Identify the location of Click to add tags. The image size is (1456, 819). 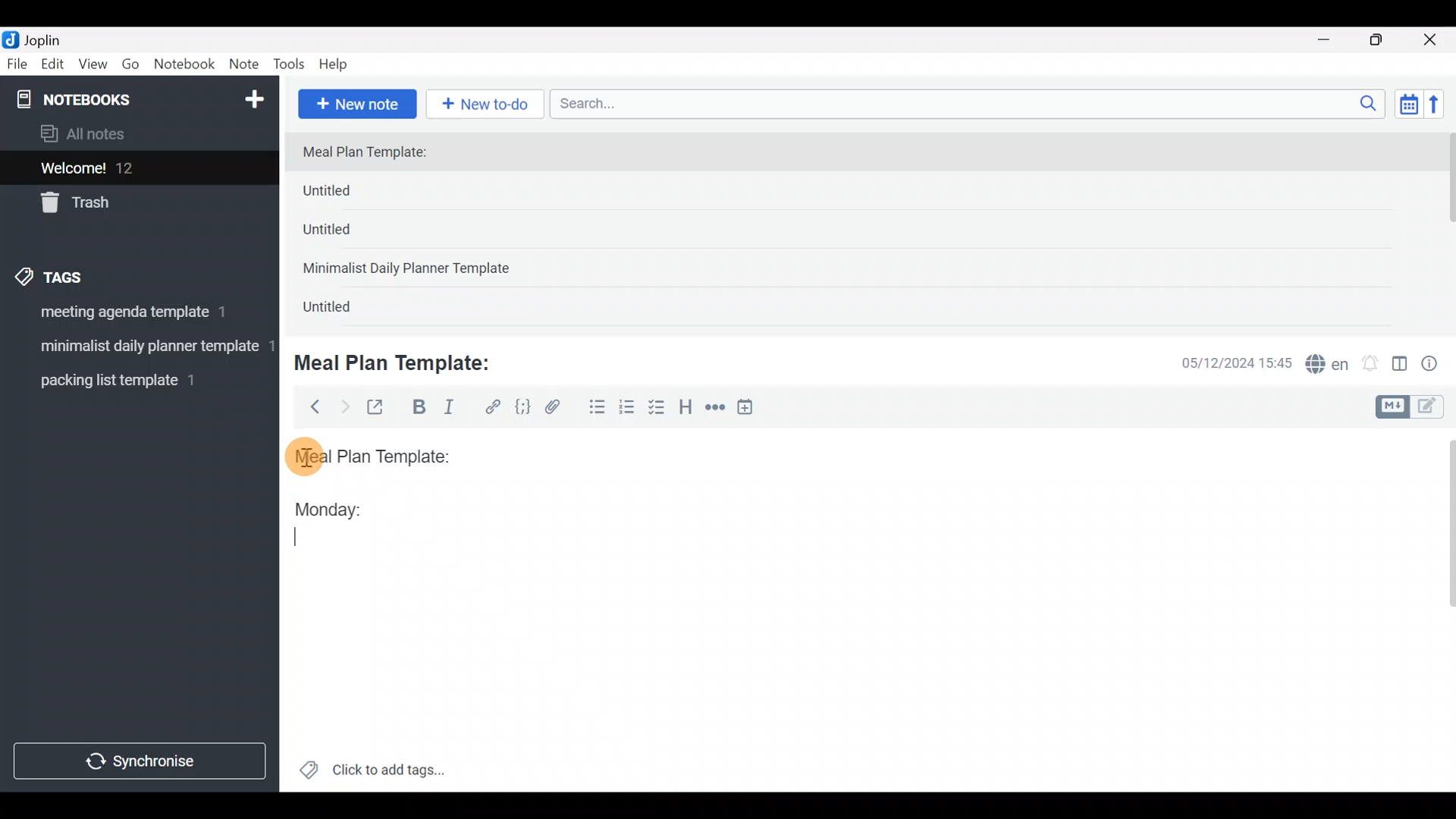
(372, 775).